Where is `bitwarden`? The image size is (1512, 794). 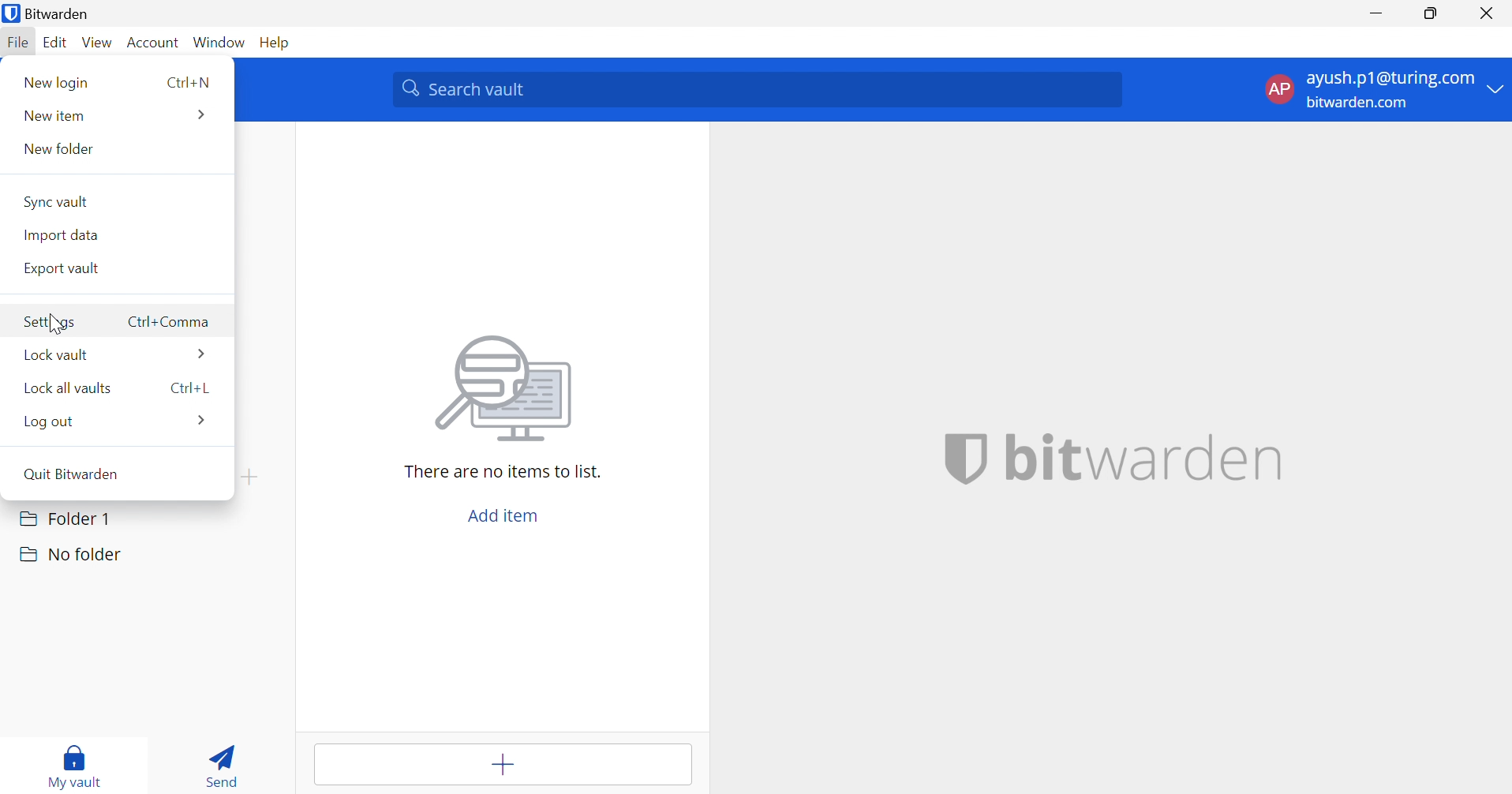 bitwarden is located at coordinates (1106, 459).